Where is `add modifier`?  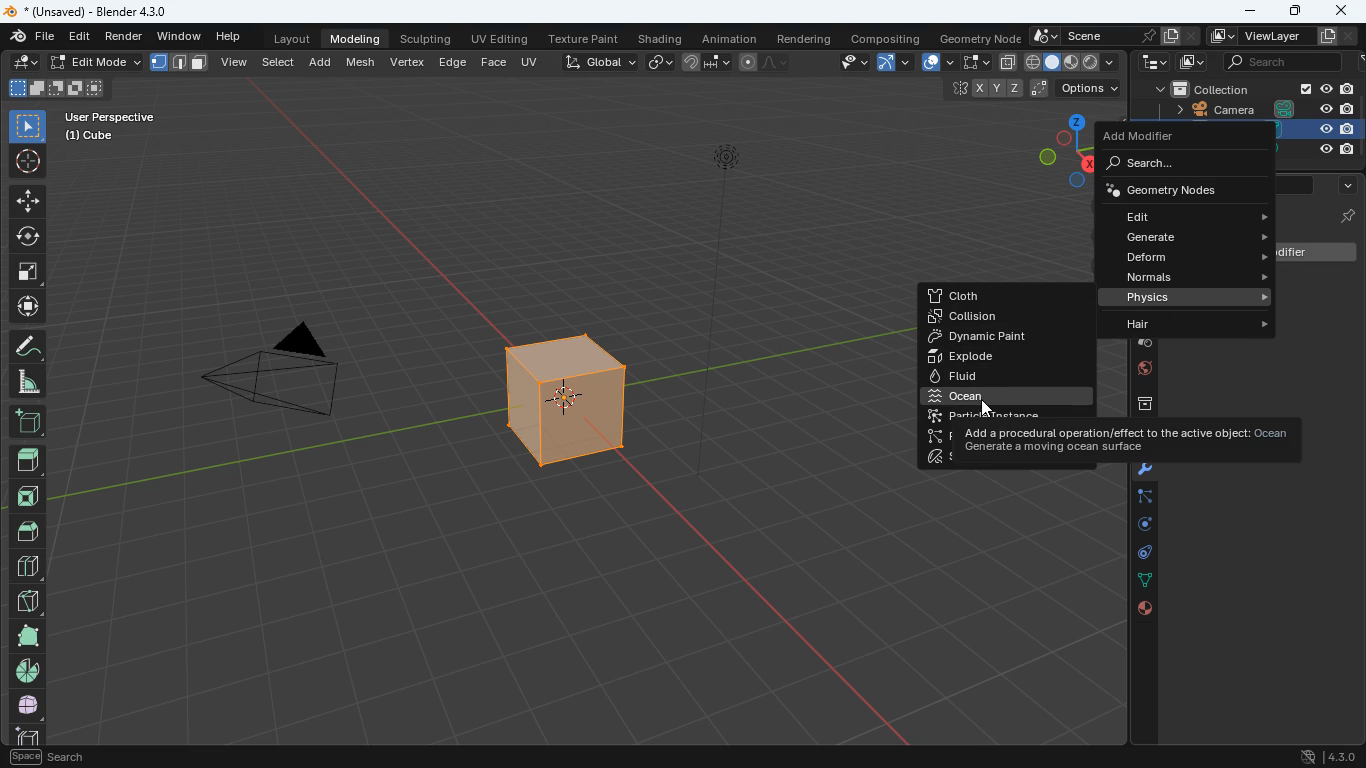
add modifier is located at coordinates (1155, 138).